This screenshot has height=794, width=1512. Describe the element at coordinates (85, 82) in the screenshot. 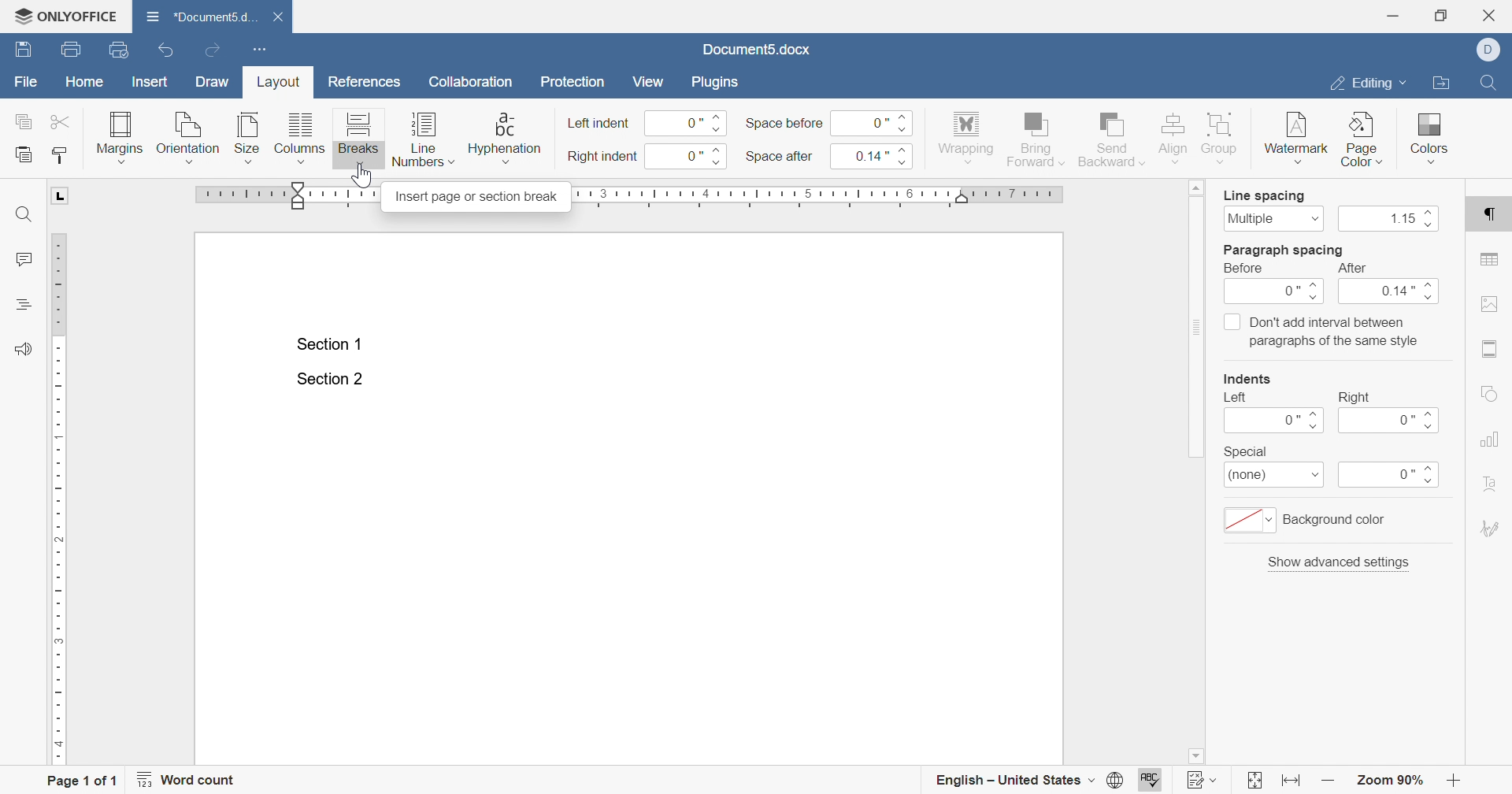

I see `home` at that location.